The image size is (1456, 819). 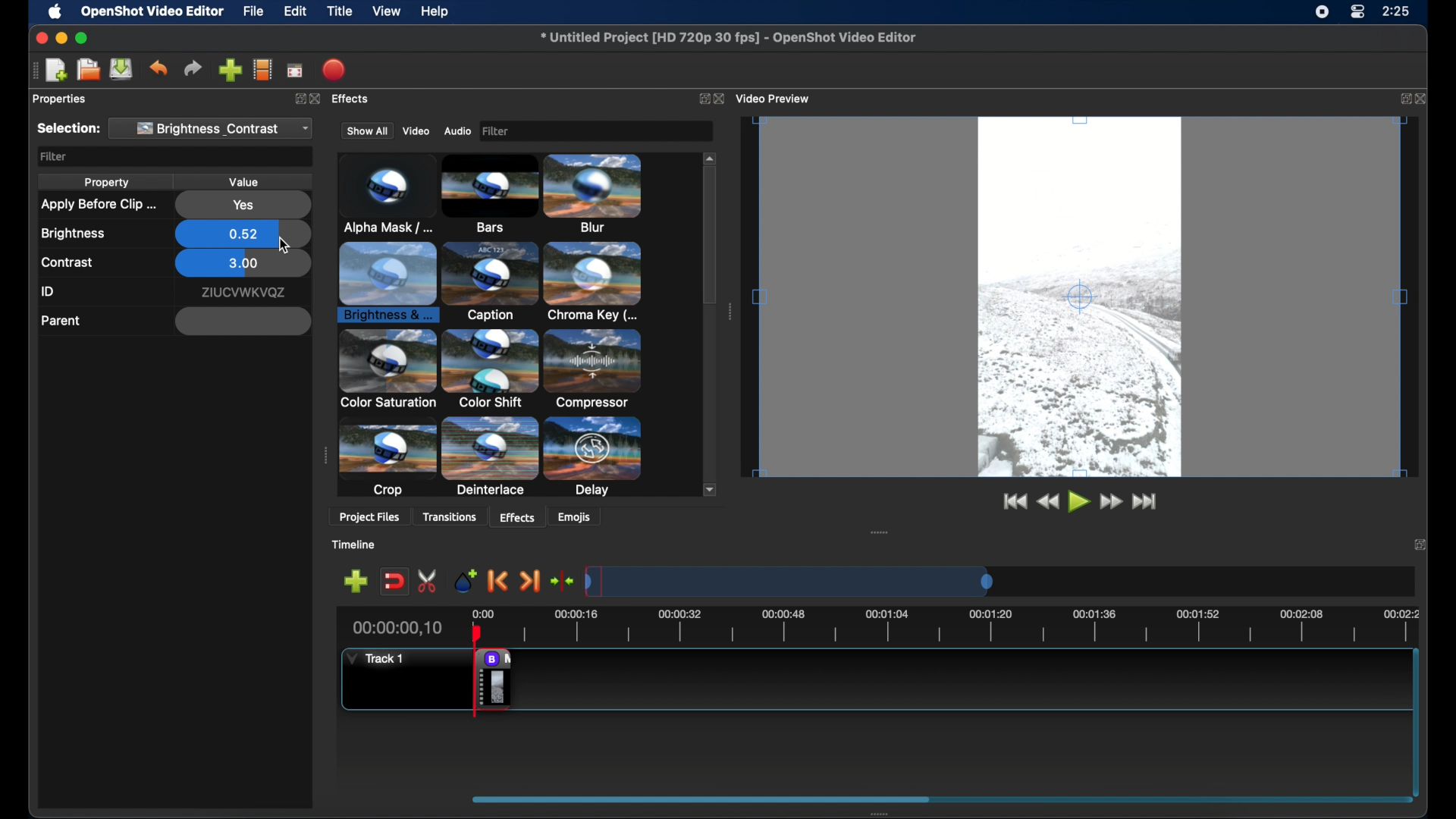 I want to click on color saturation, so click(x=494, y=282).